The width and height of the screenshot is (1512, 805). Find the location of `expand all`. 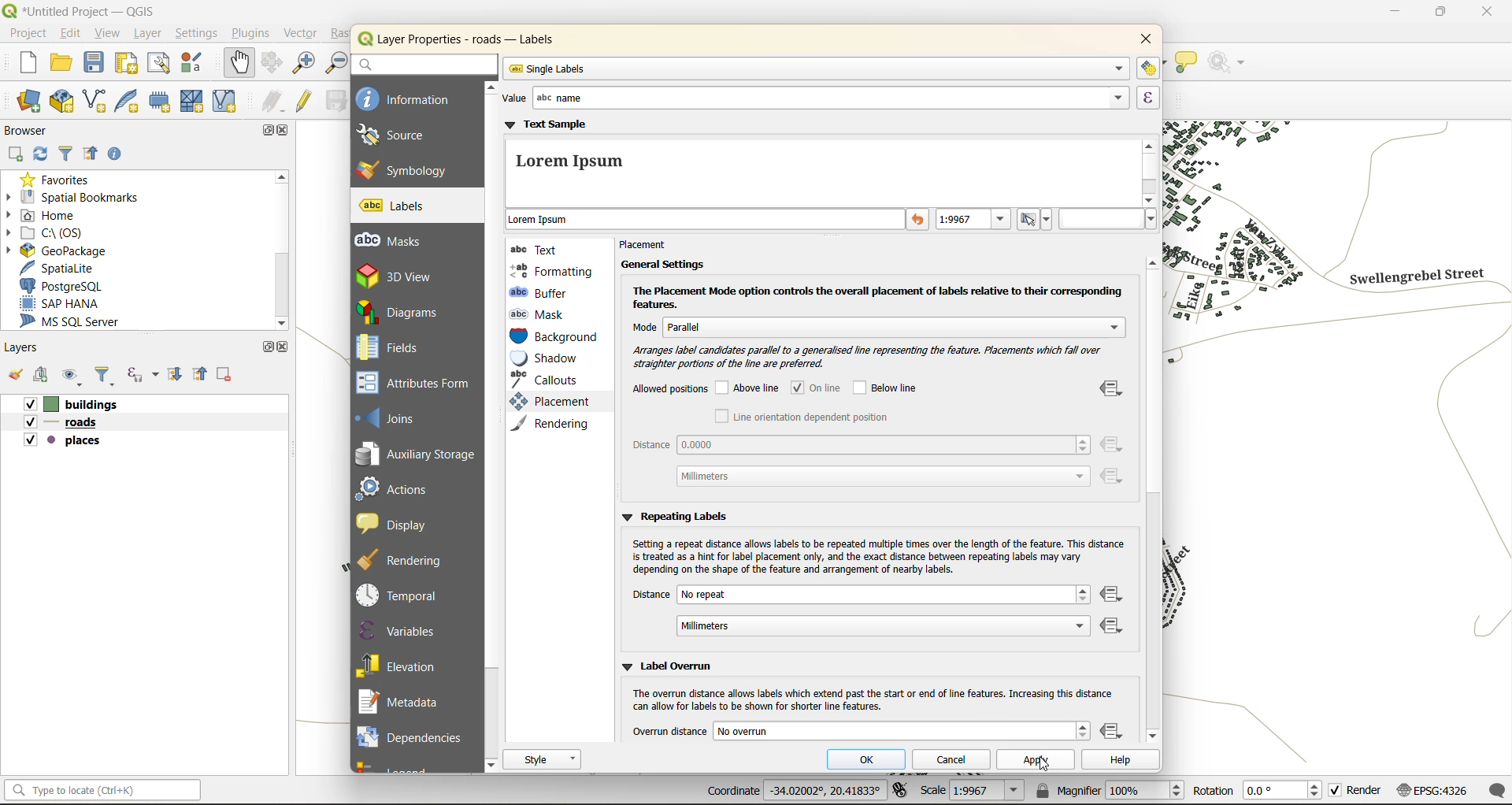

expand all is located at coordinates (171, 377).